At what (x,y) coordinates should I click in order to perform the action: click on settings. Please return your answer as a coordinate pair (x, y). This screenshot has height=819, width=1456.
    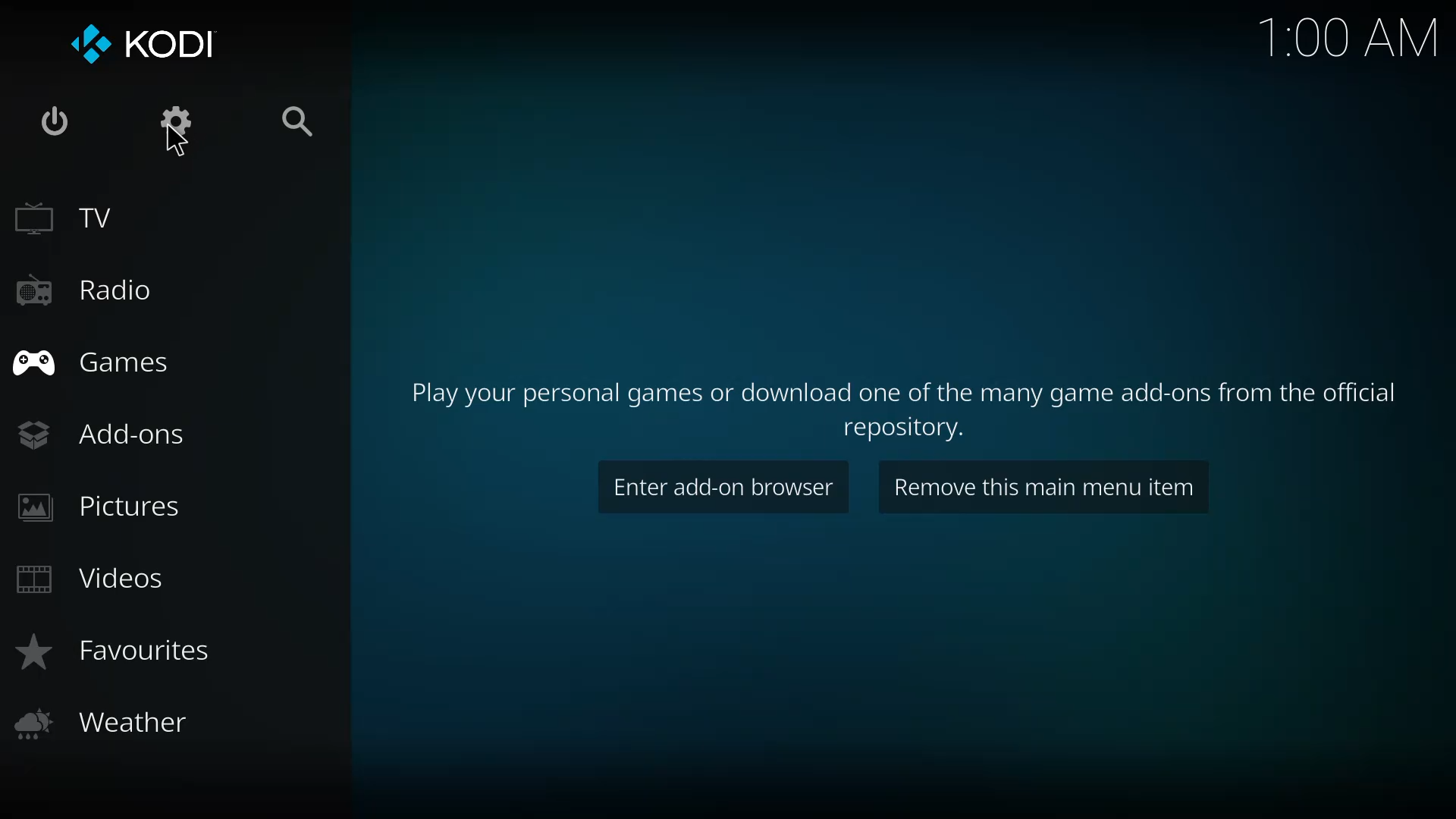
    Looking at the image, I should click on (166, 124).